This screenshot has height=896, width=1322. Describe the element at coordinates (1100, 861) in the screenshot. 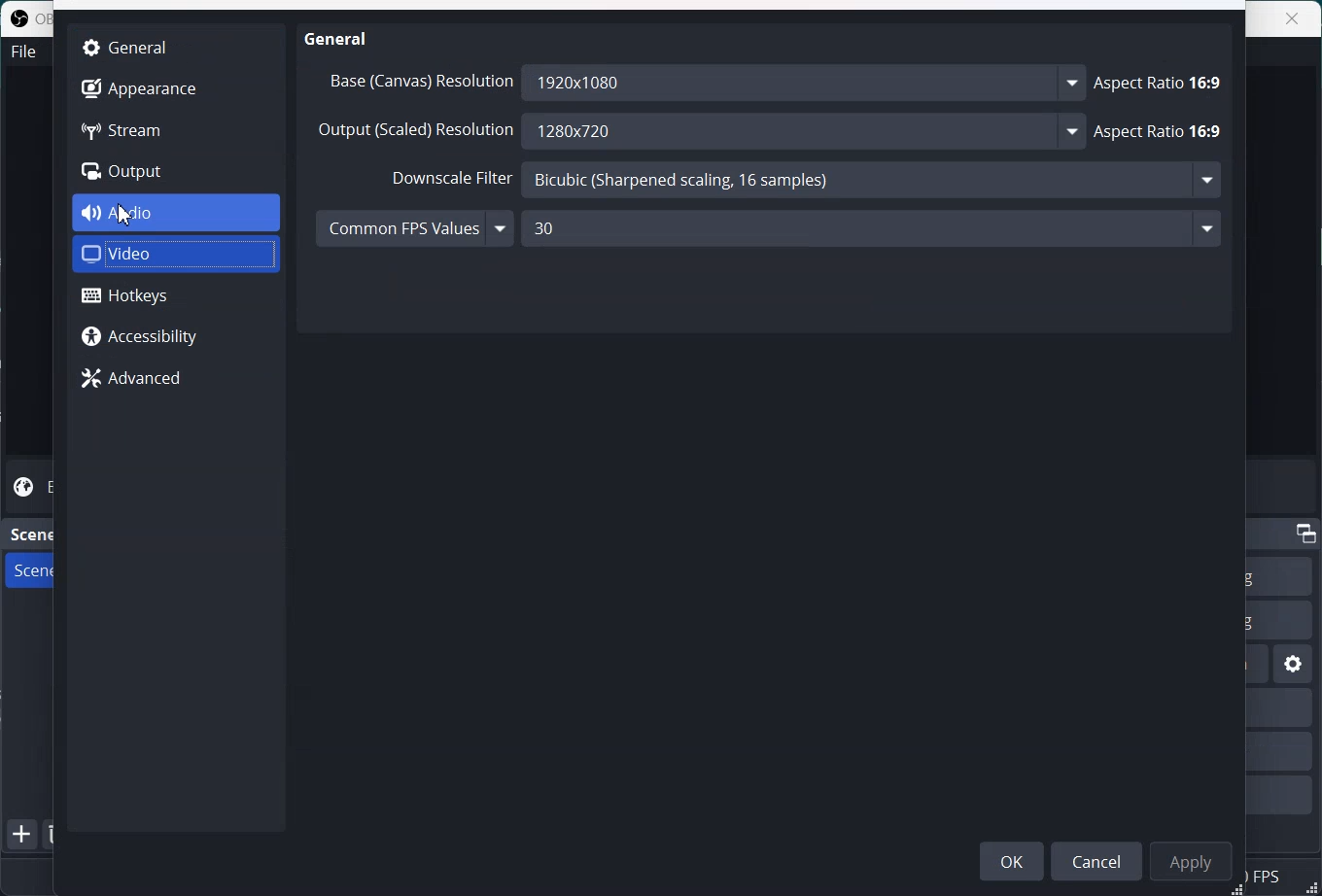

I see `Cancel` at that location.